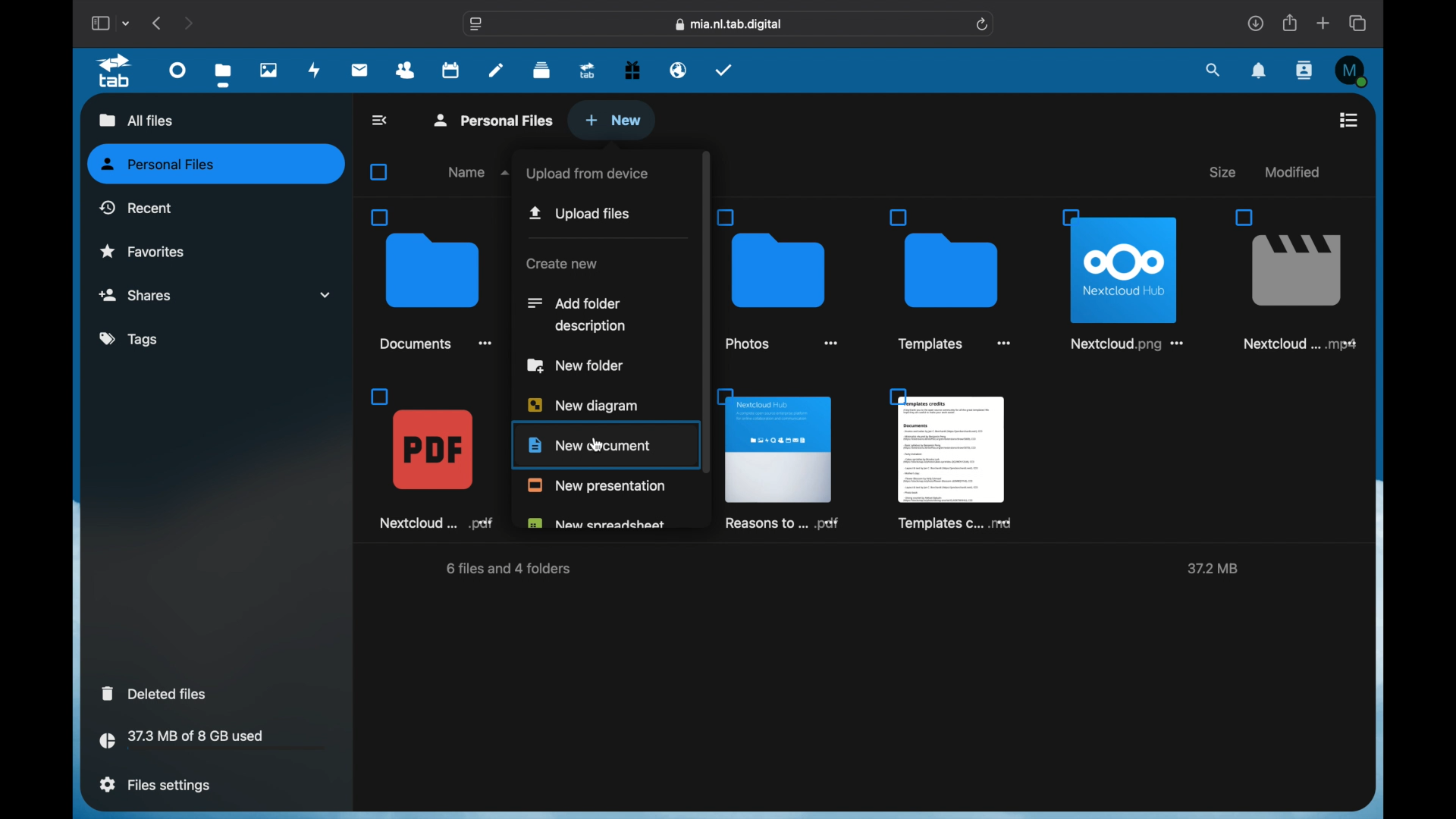  Describe the element at coordinates (782, 459) in the screenshot. I see `file` at that location.